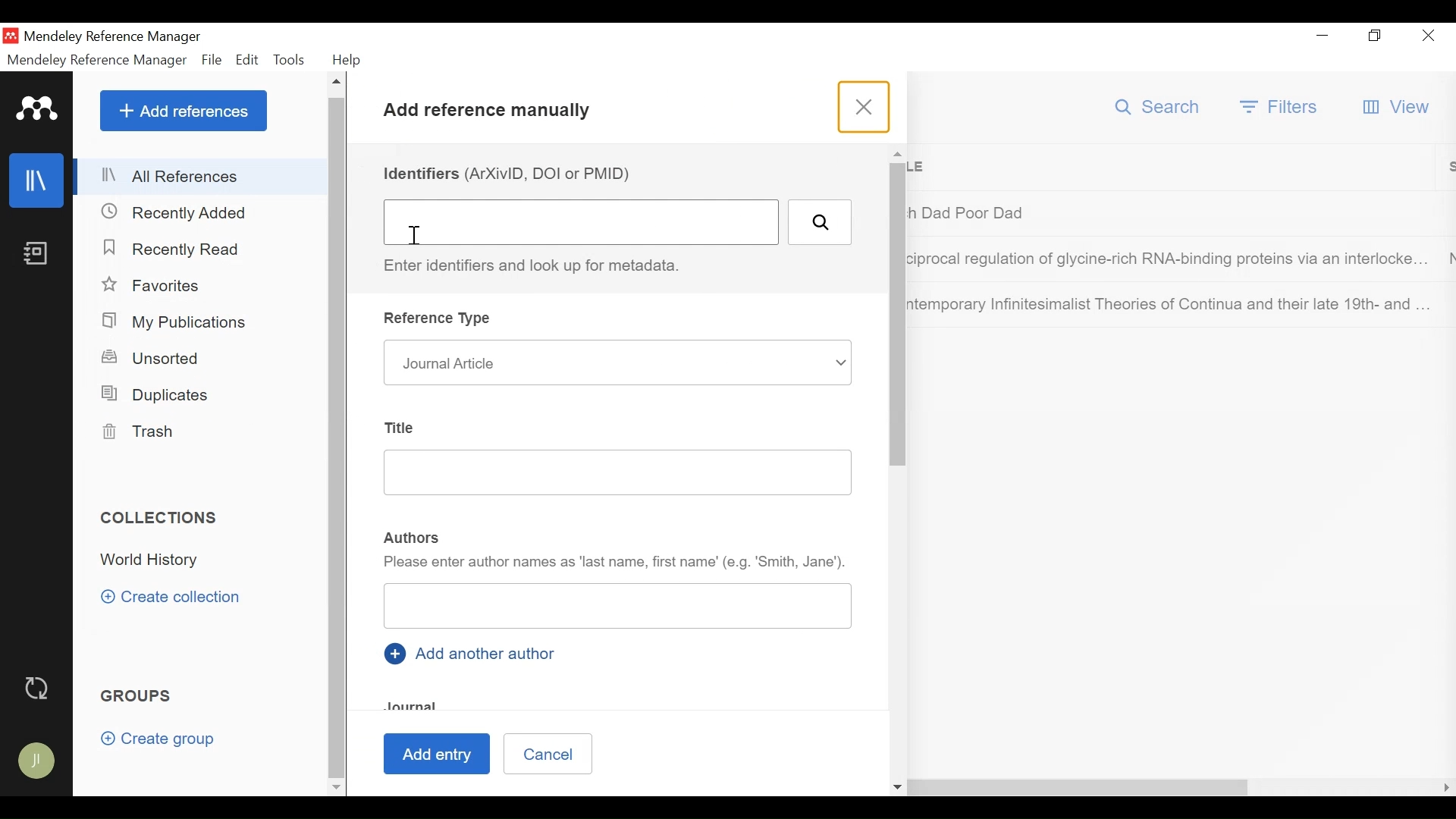  I want to click on minimize, so click(1323, 36).